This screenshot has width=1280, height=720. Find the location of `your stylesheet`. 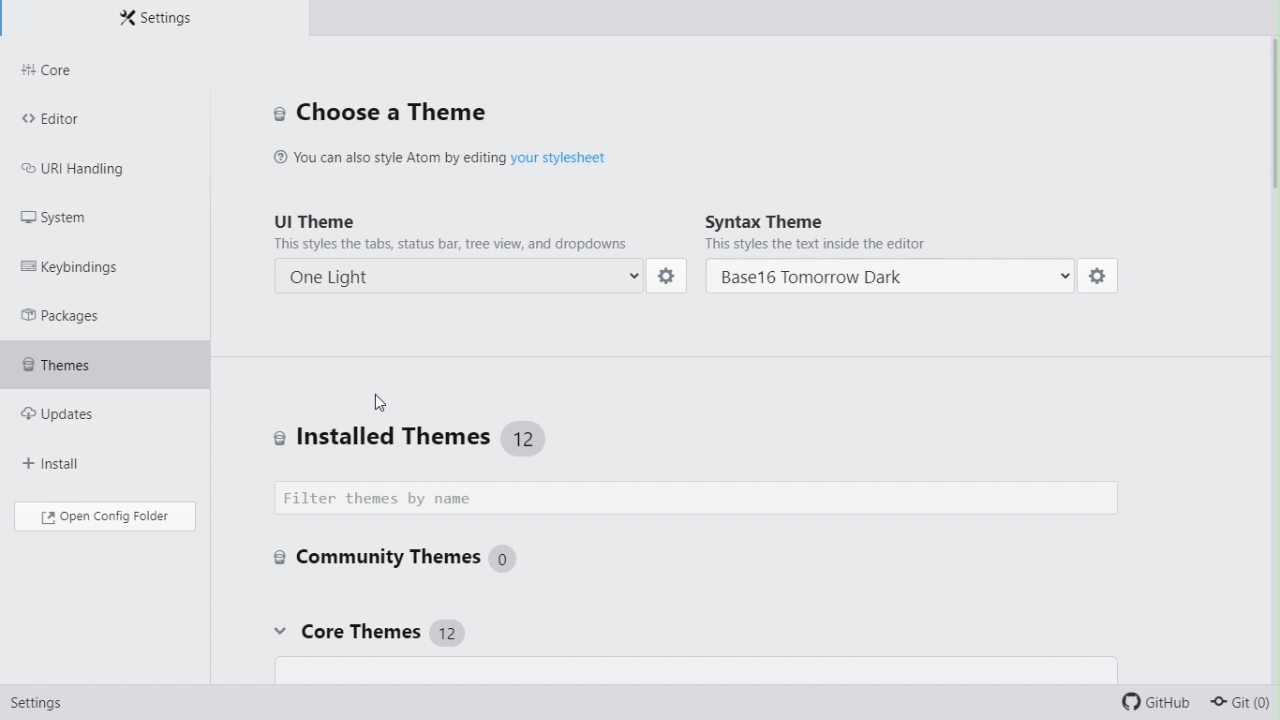

your stylesheet is located at coordinates (559, 158).